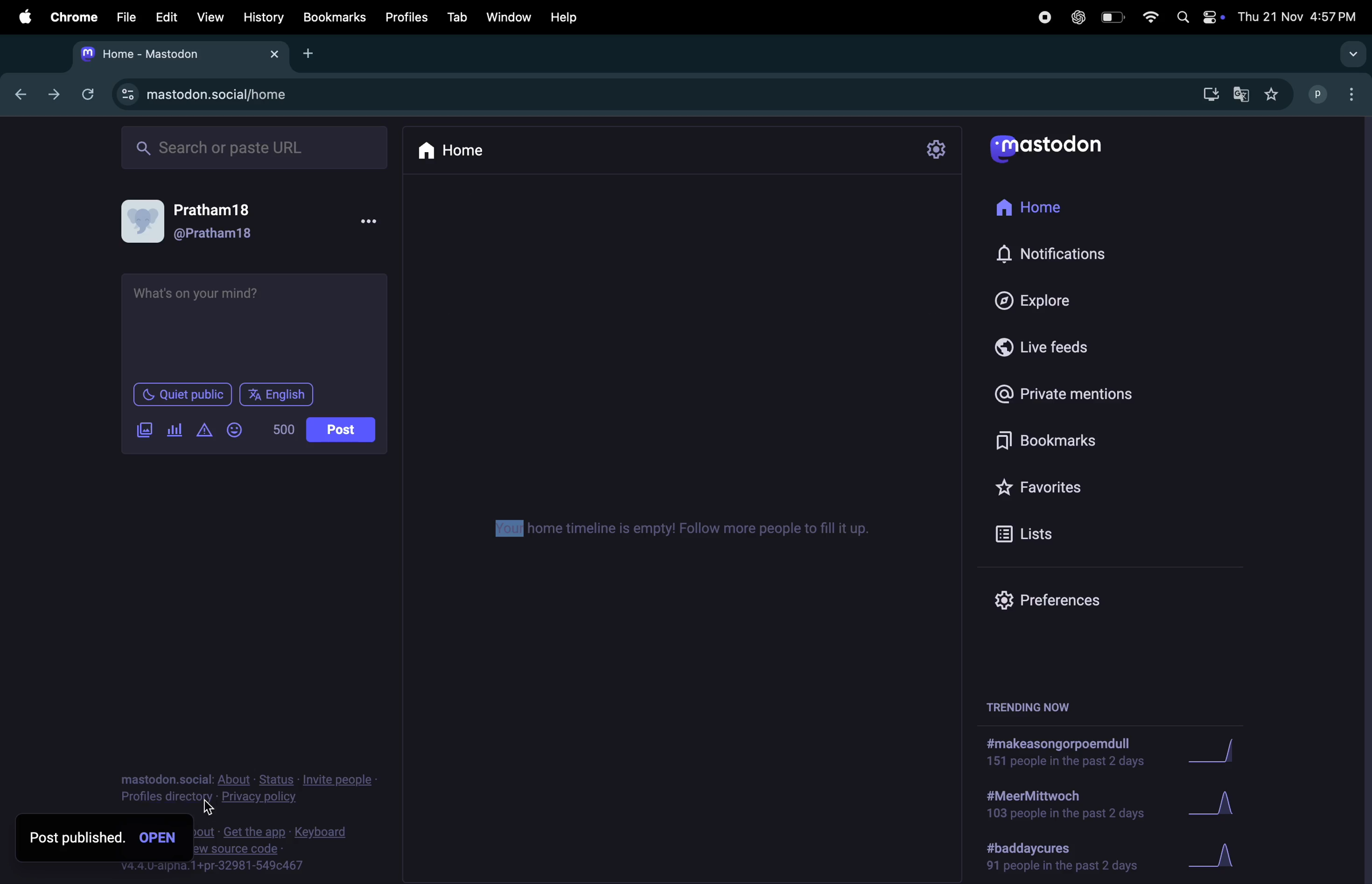  What do you see at coordinates (256, 148) in the screenshot?
I see `searchbar` at bounding box center [256, 148].